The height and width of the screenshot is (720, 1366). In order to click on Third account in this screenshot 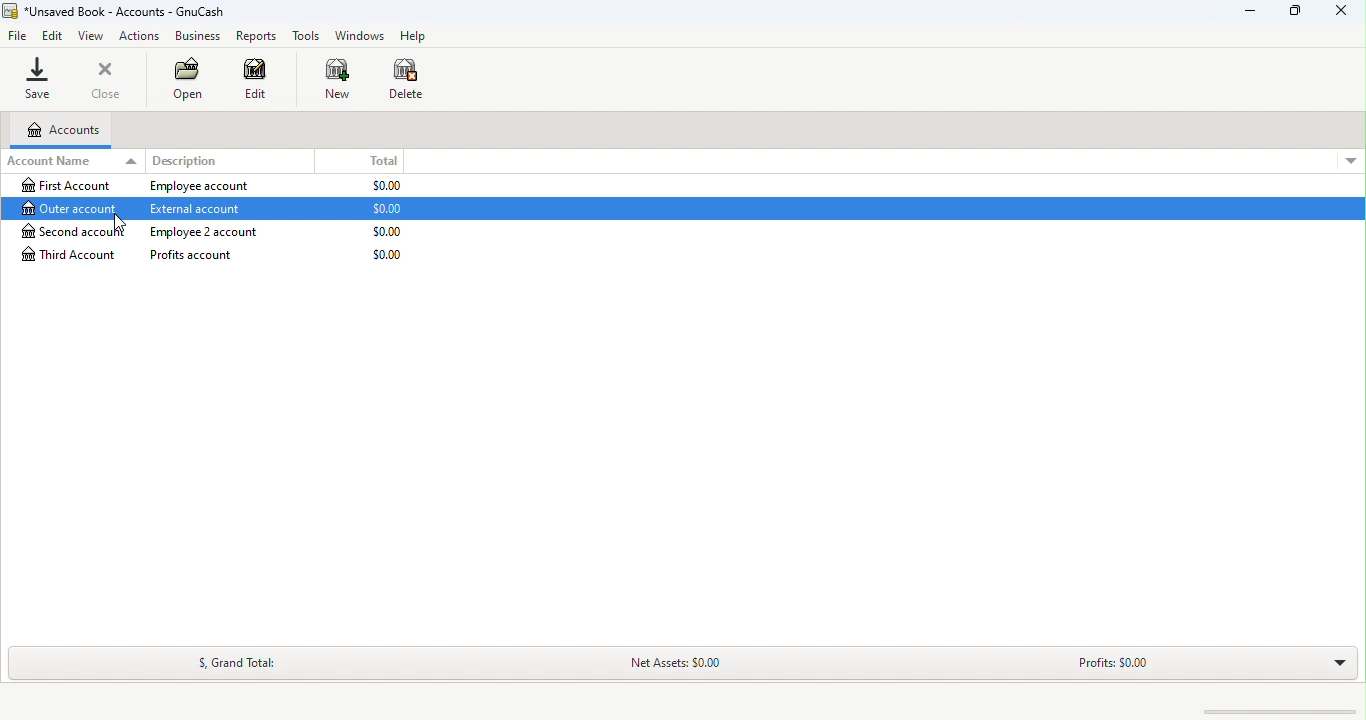, I will do `click(218, 255)`.